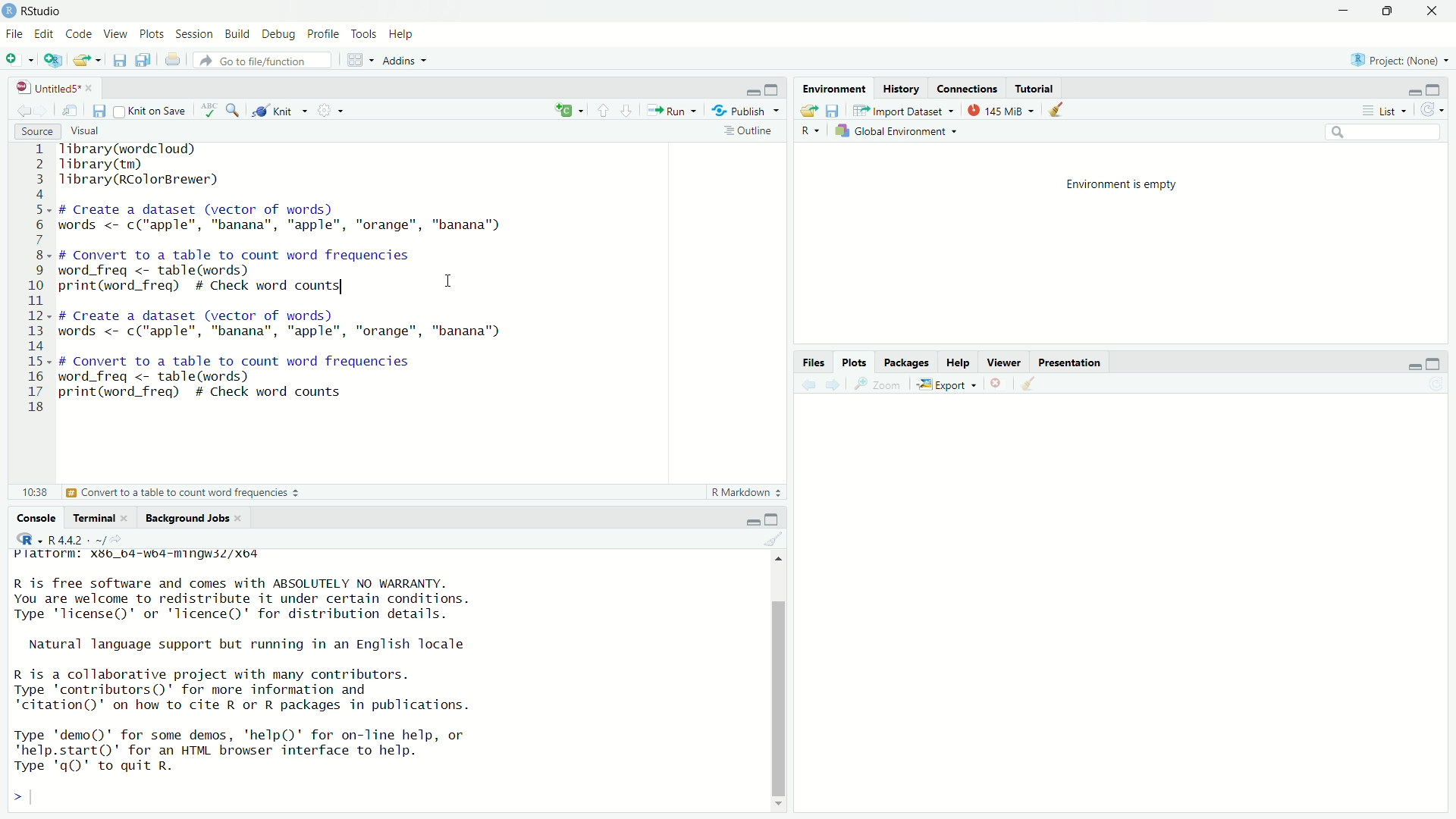 Image resolution: width=1456 pixels, height=819 pixels. Describe the element at coordinates (895, 133) in the screenshot. I see `Global Environment` at that location.